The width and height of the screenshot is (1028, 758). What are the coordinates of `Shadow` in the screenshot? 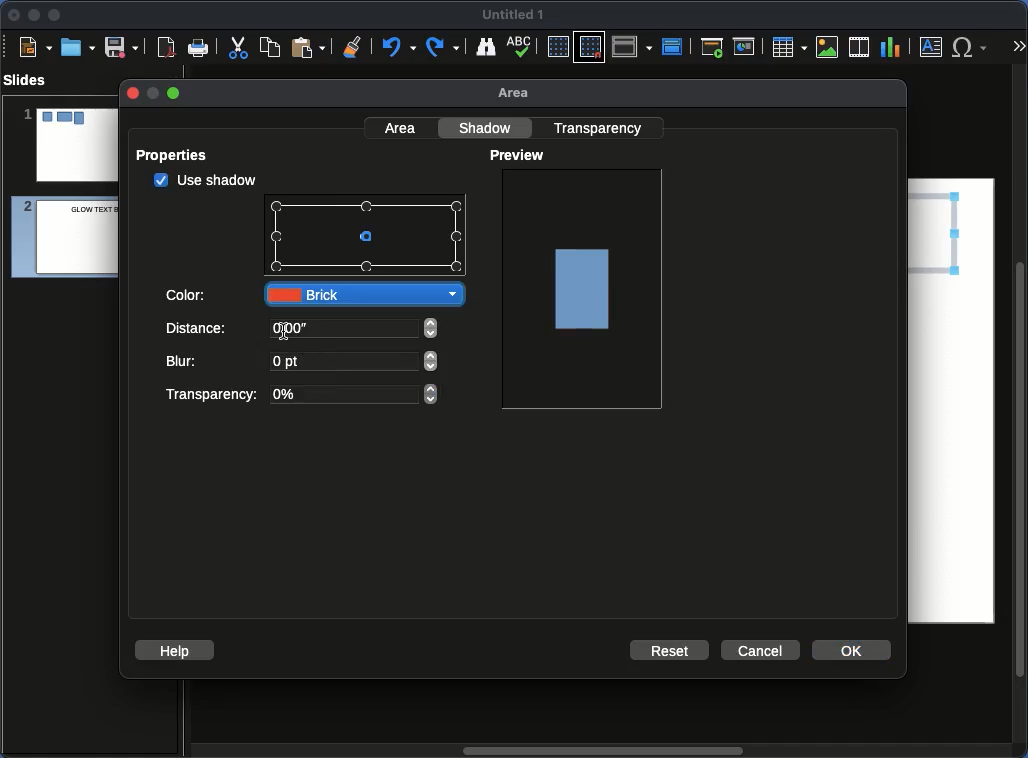 It's located at (488, 127).